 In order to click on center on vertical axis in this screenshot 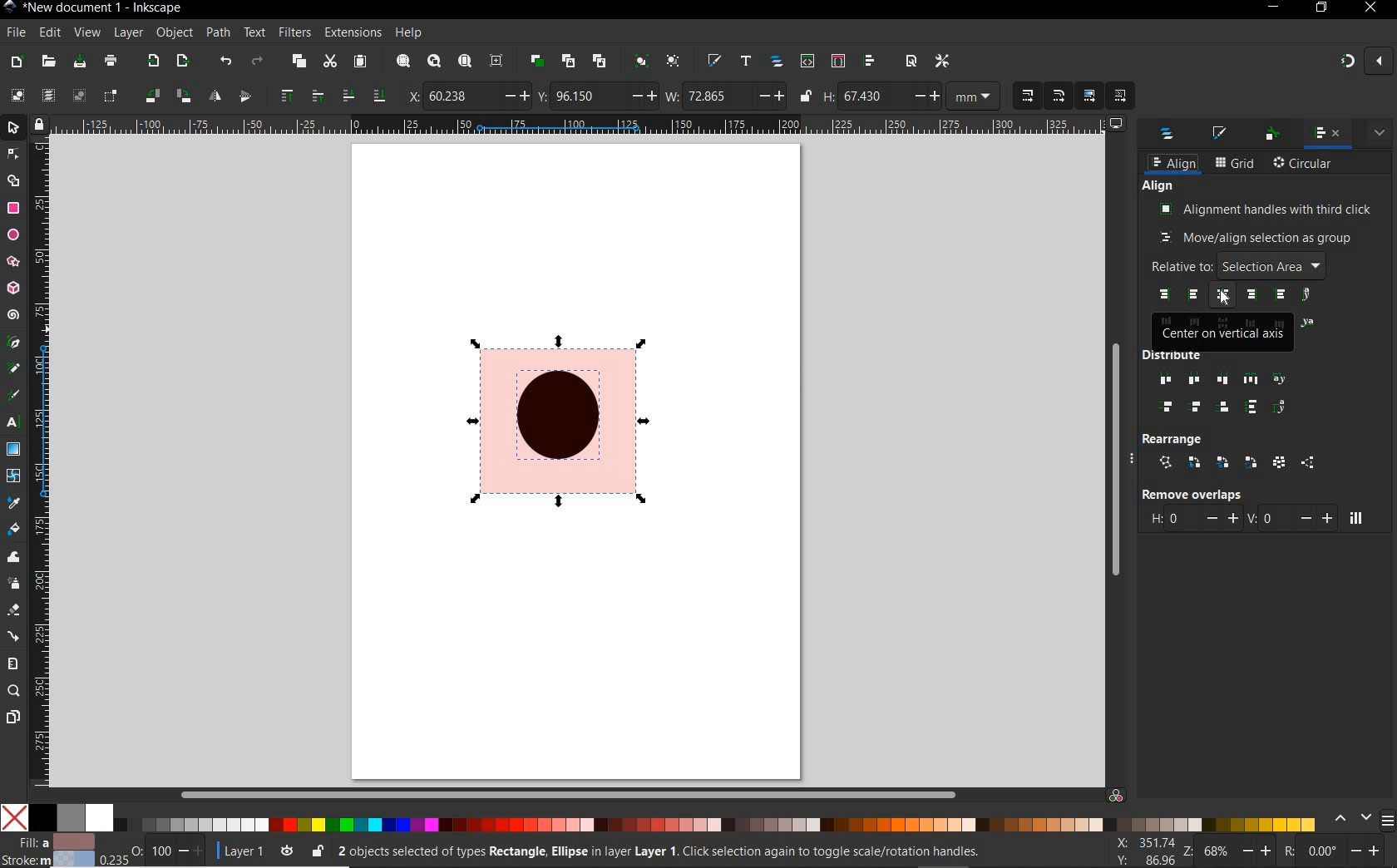, I will do `click(1224, 333)`.